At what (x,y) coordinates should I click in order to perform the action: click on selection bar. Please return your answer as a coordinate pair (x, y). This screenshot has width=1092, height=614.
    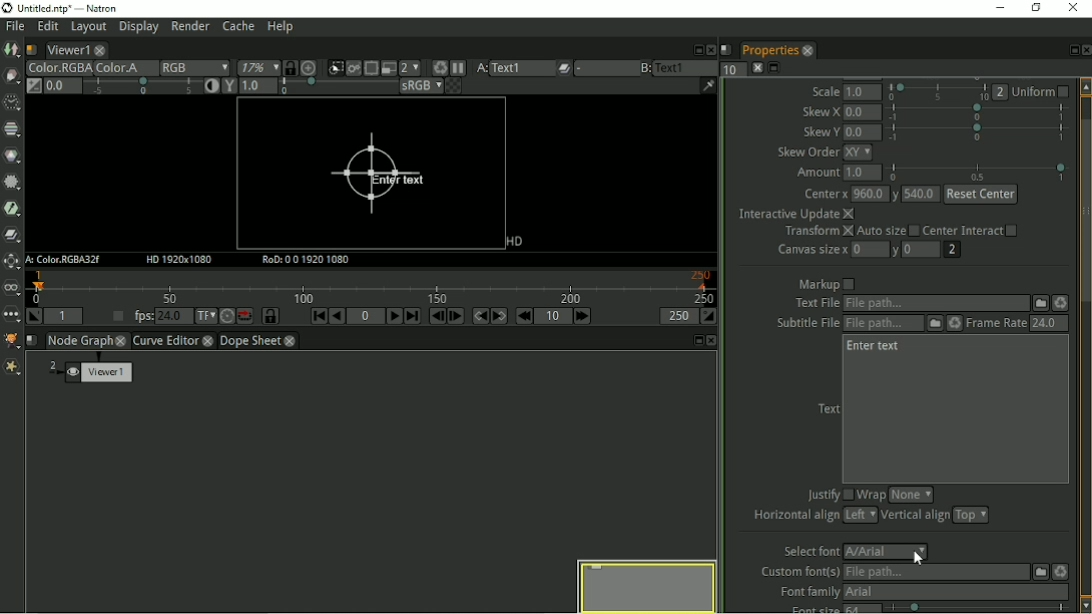
    Looking at the image, I should click on (977, 113).